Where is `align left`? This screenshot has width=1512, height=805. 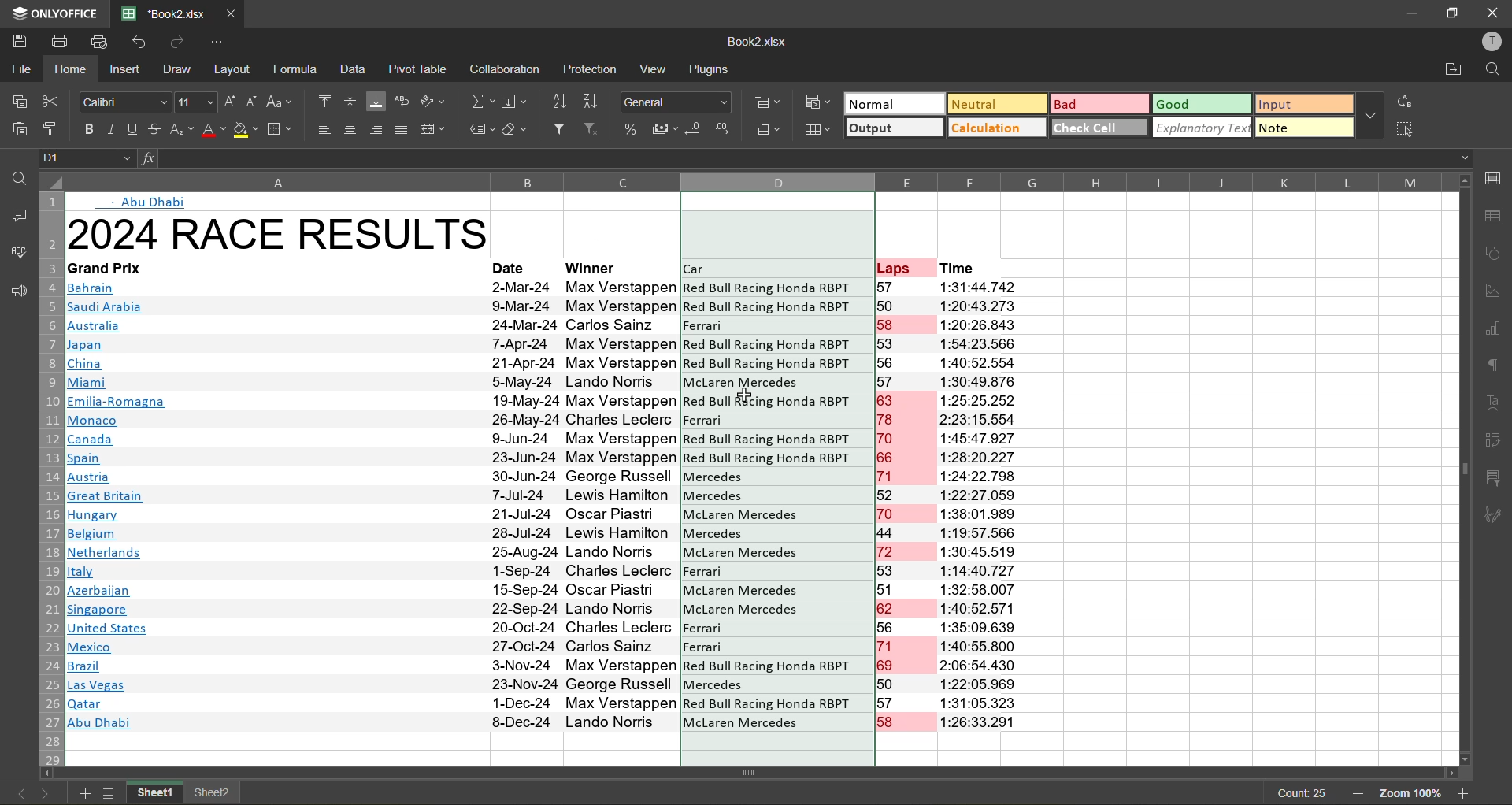 align left is located at coordinates (324, 128).